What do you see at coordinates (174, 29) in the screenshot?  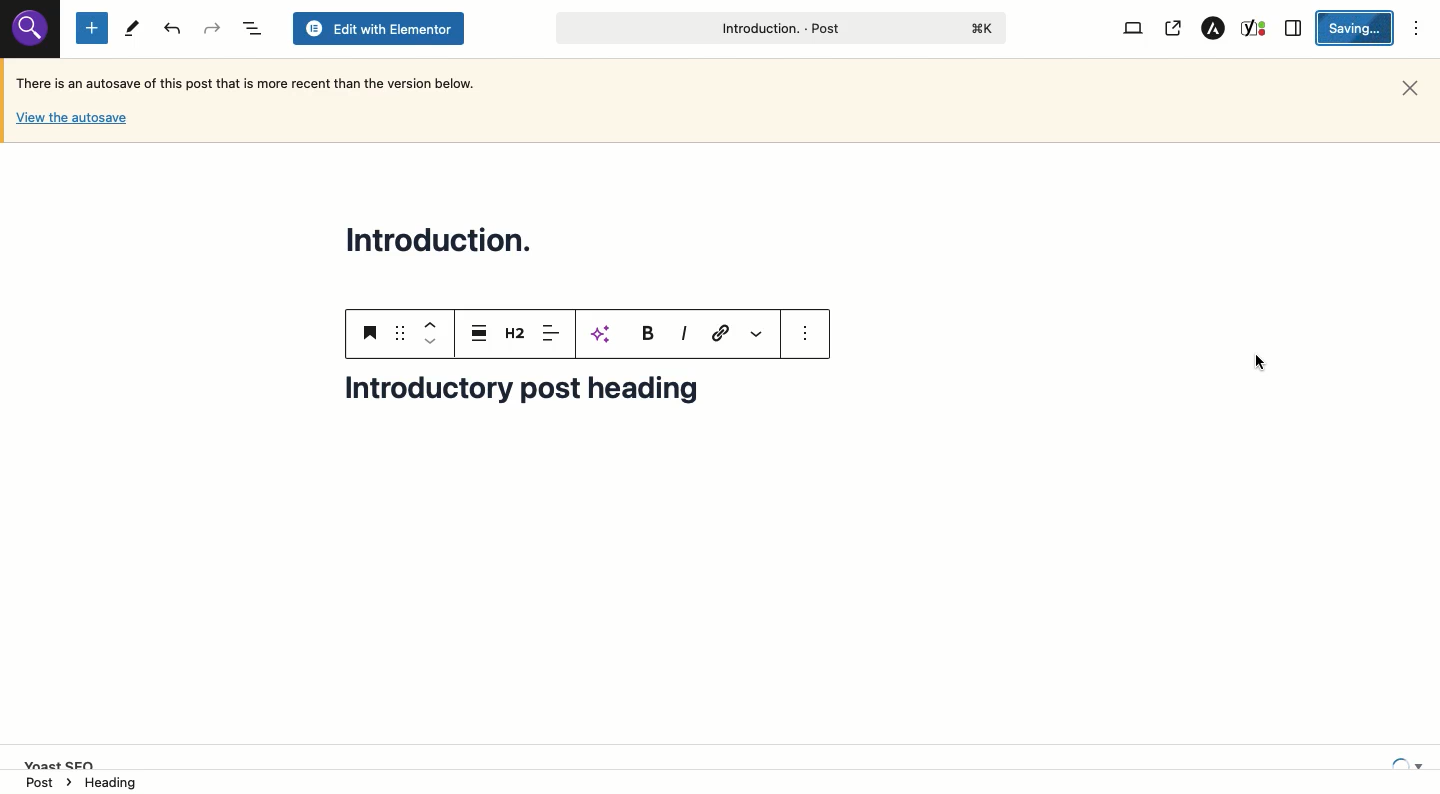 I see `Redo` at bounding box center [174, 29].